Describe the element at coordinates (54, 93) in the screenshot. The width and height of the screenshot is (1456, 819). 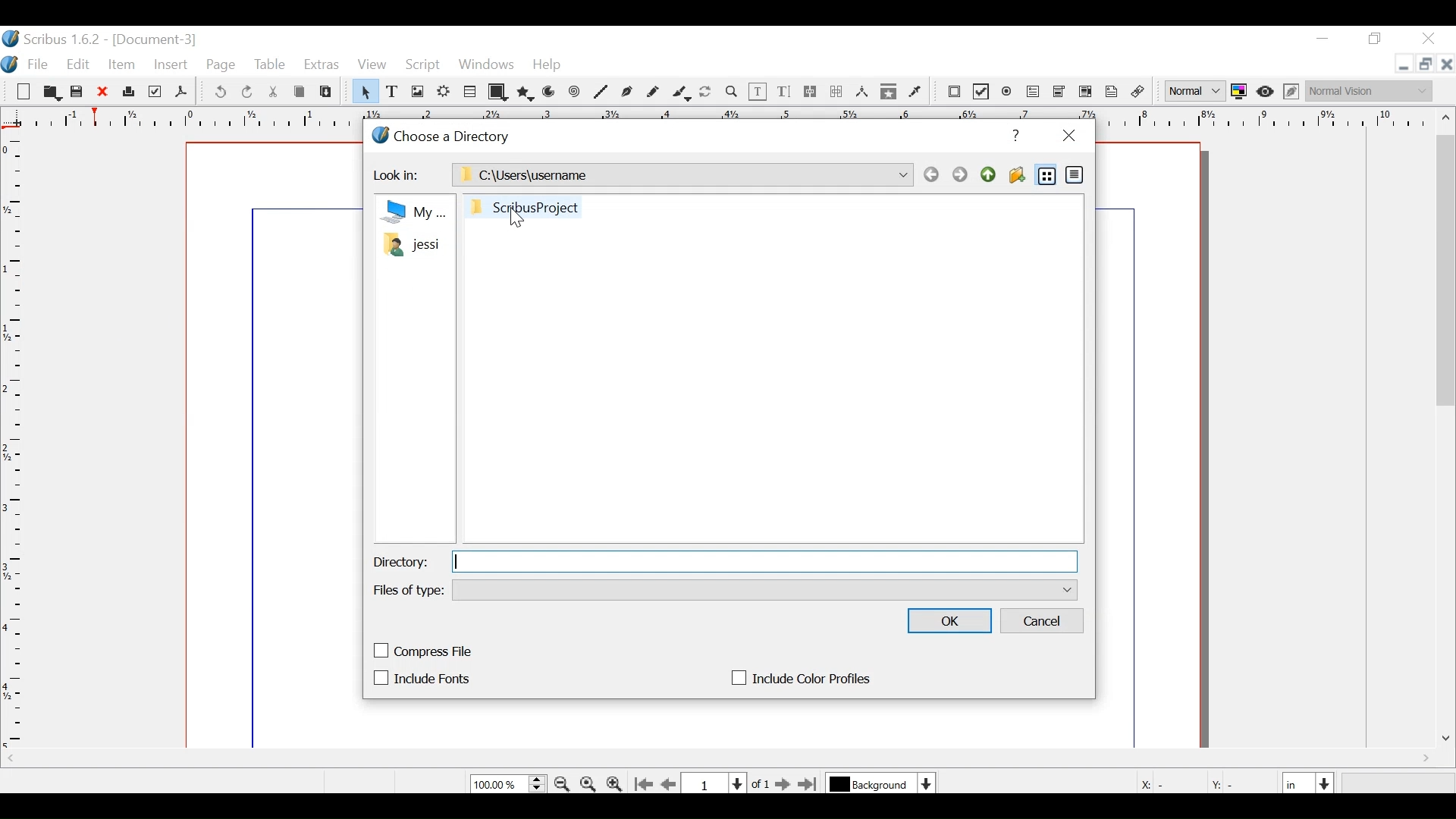
I see `Open` at that location.